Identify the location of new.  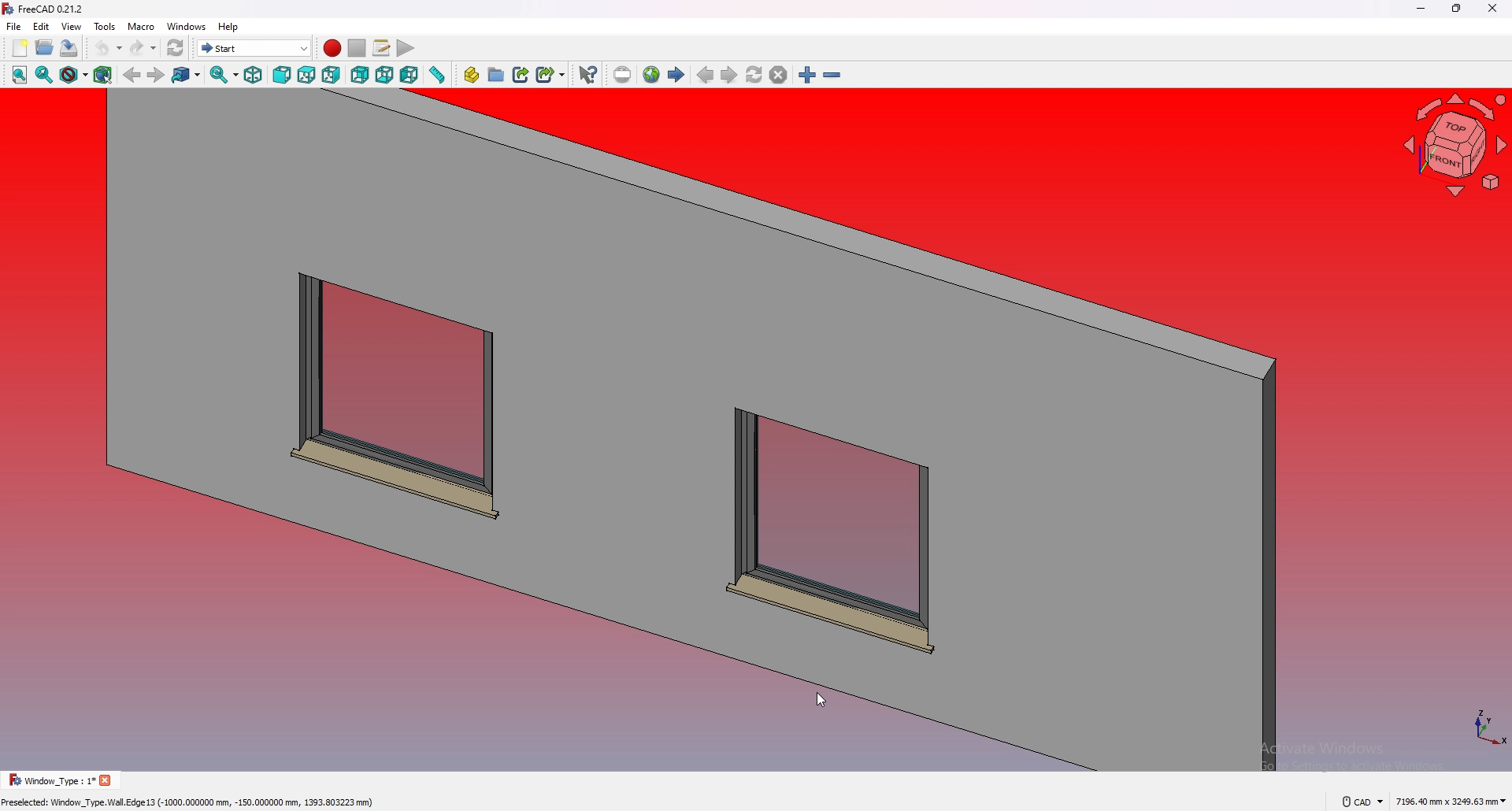
(19, 48).